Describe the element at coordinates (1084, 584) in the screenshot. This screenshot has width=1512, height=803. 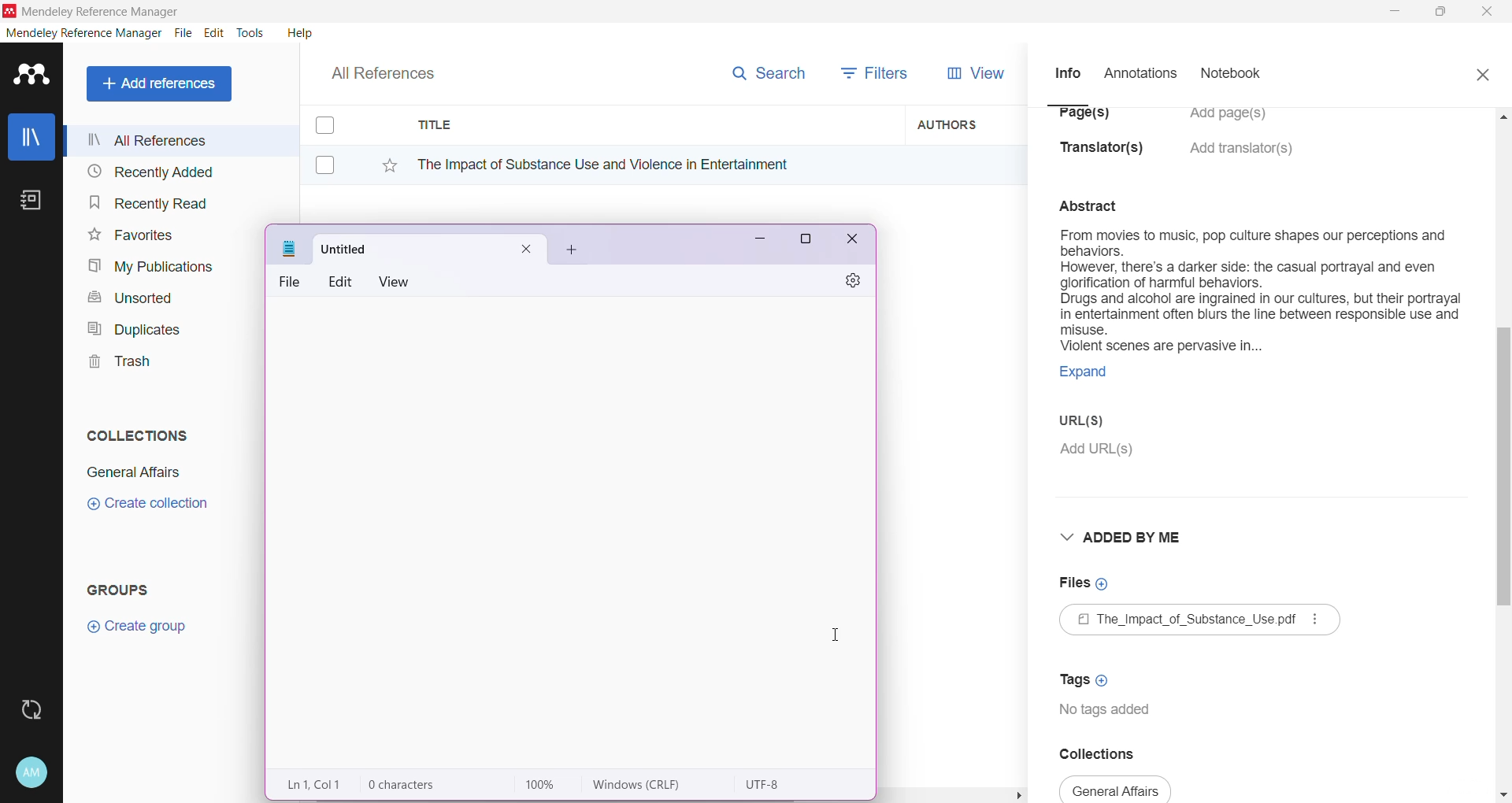
I see `Click to Add Files` at that location.